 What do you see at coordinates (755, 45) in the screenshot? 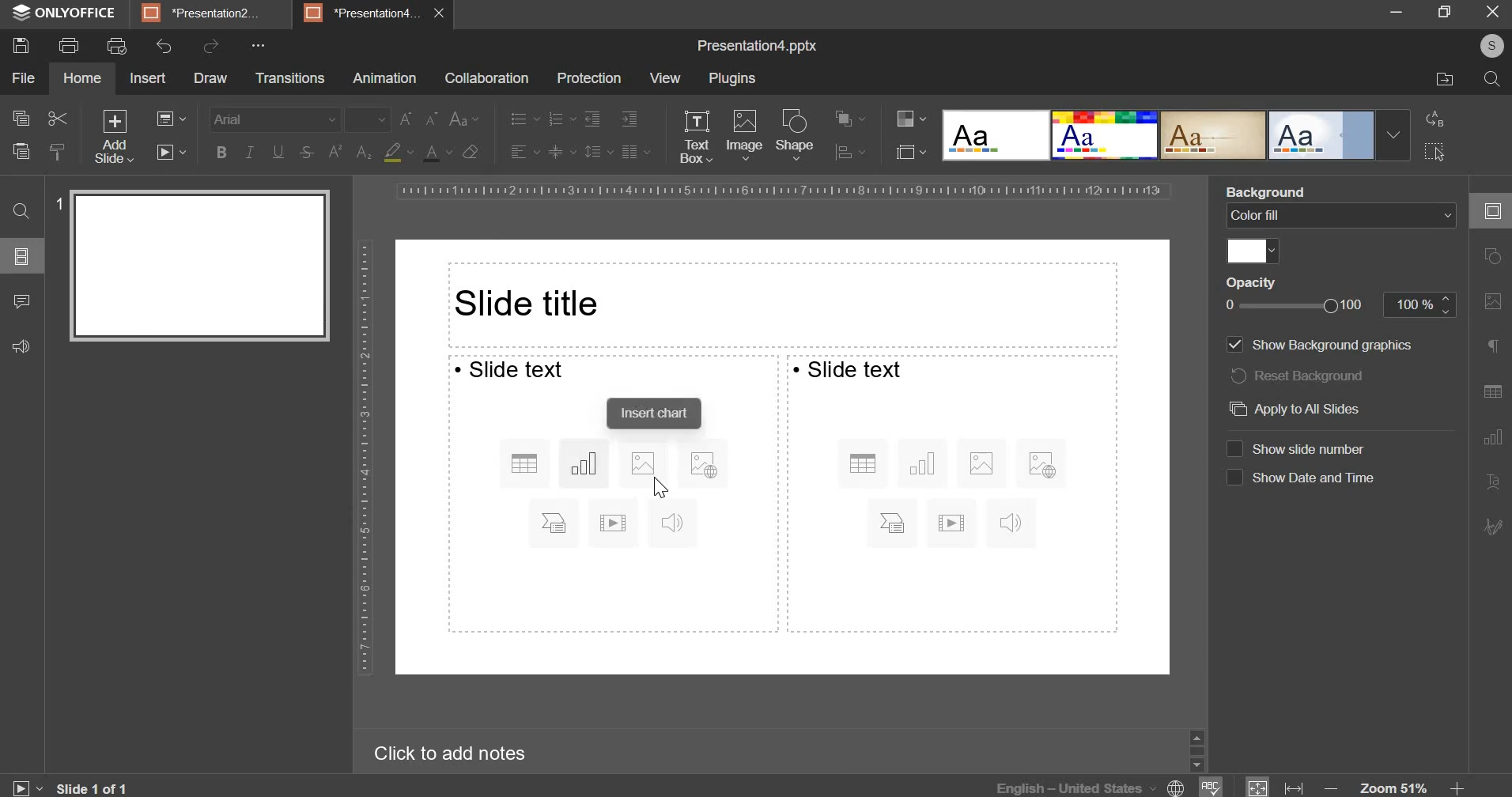
I see `Presentation4.pptx` at bounding box center [755, 45].